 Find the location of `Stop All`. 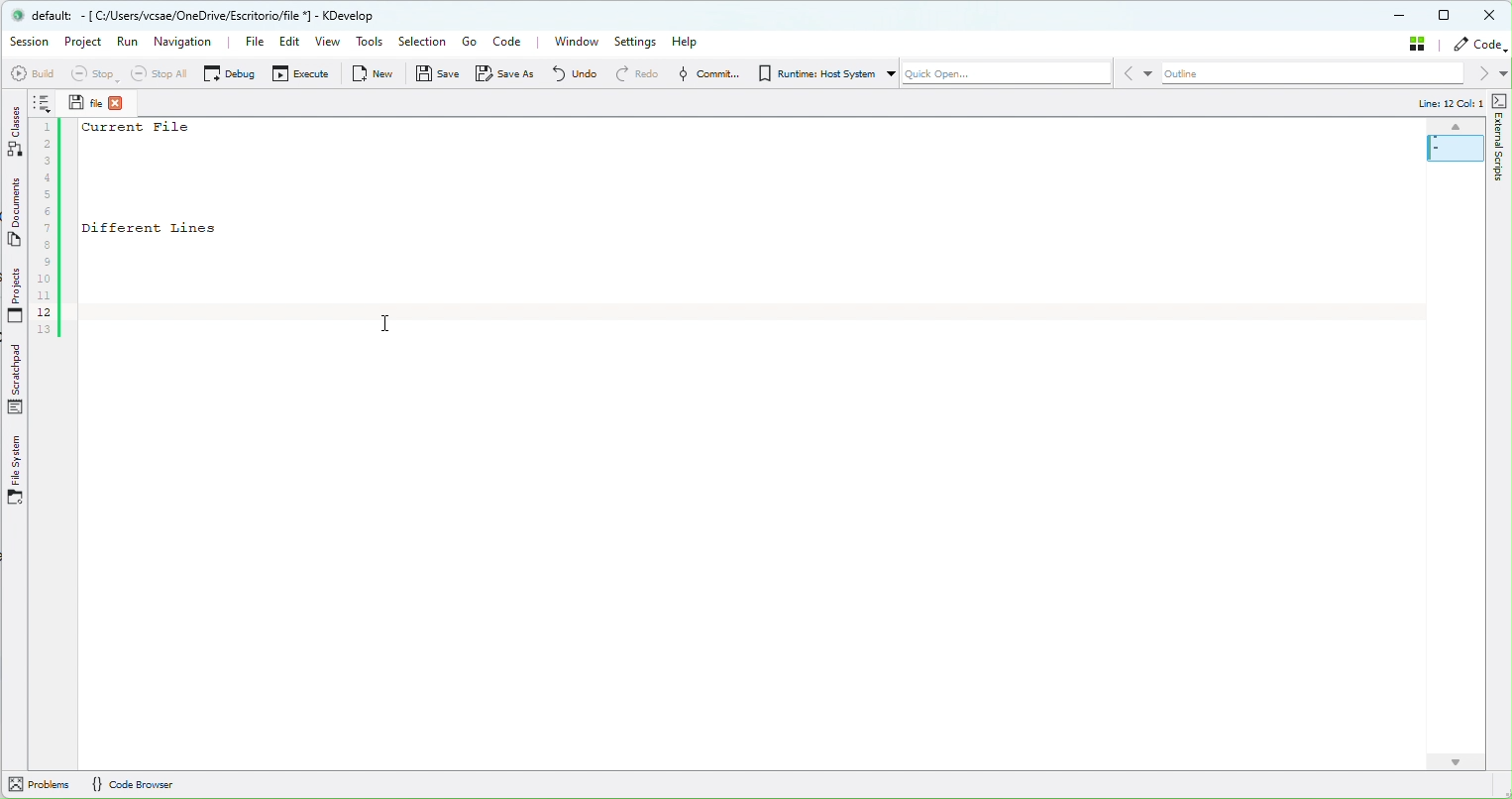

Stop All is located at coordinates (159, 72).